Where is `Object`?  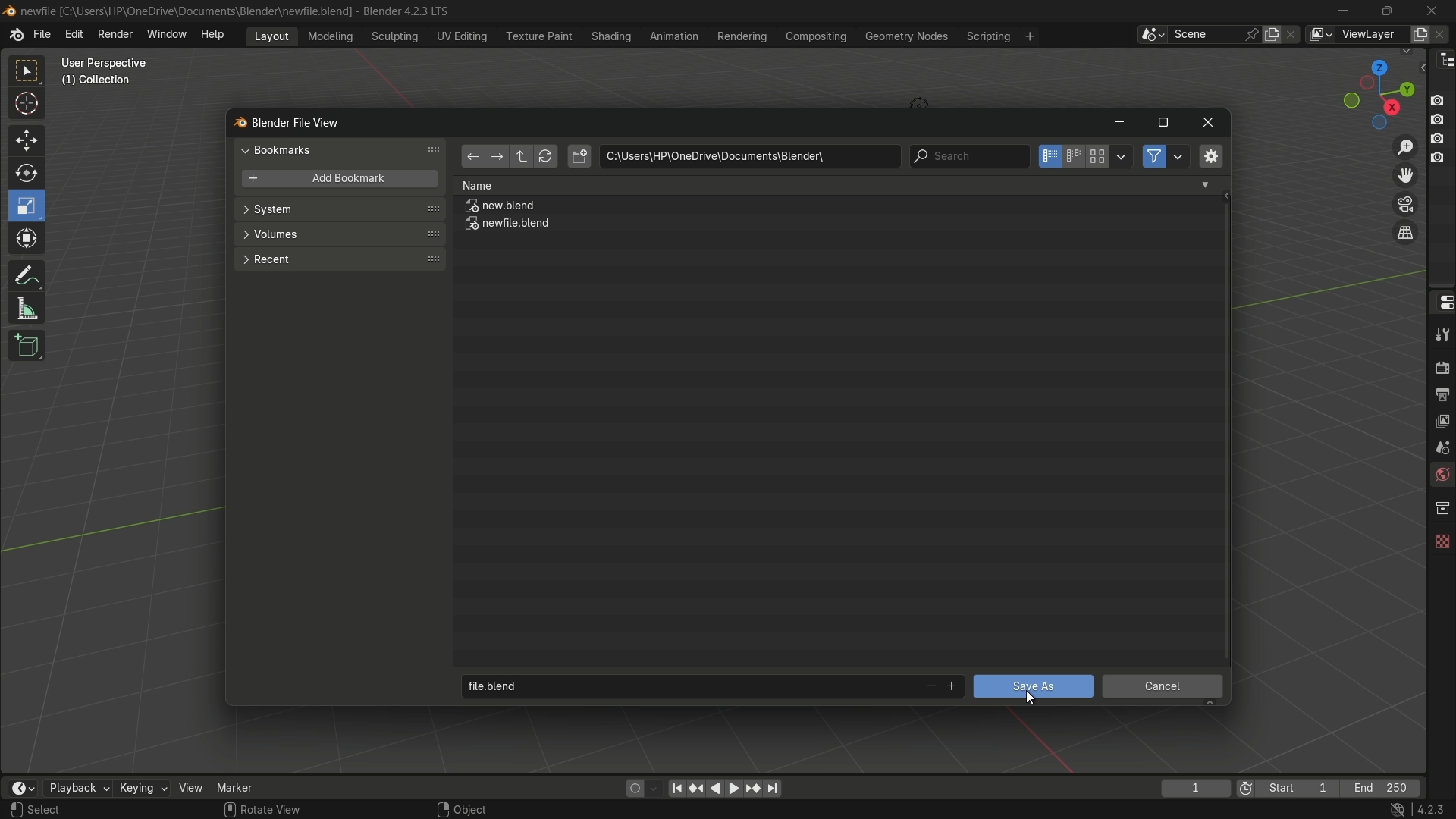
Object is located at coordinates (480, 805).